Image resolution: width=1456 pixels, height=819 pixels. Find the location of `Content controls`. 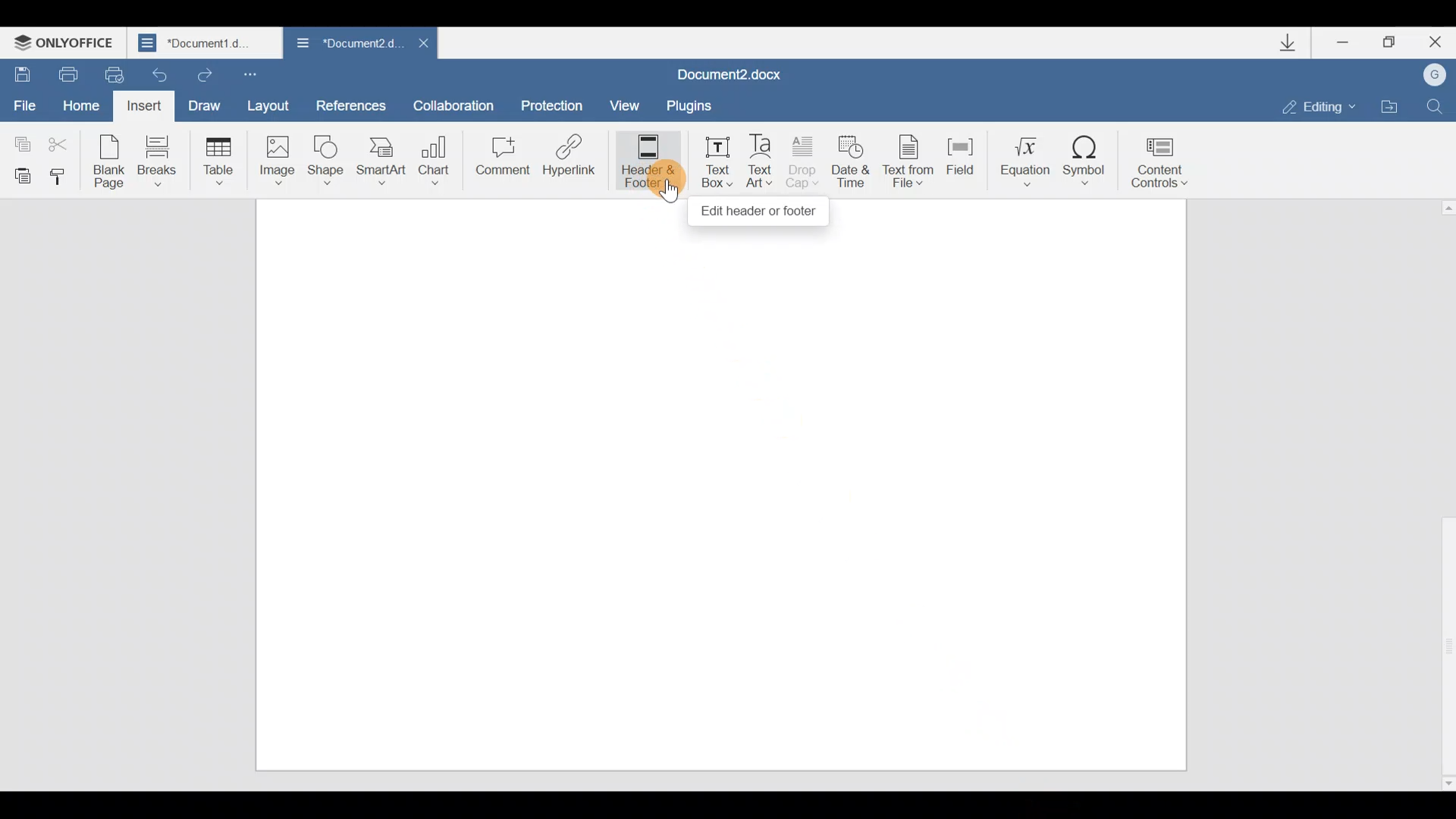

Content controls is located at coordinates (1168, 158).